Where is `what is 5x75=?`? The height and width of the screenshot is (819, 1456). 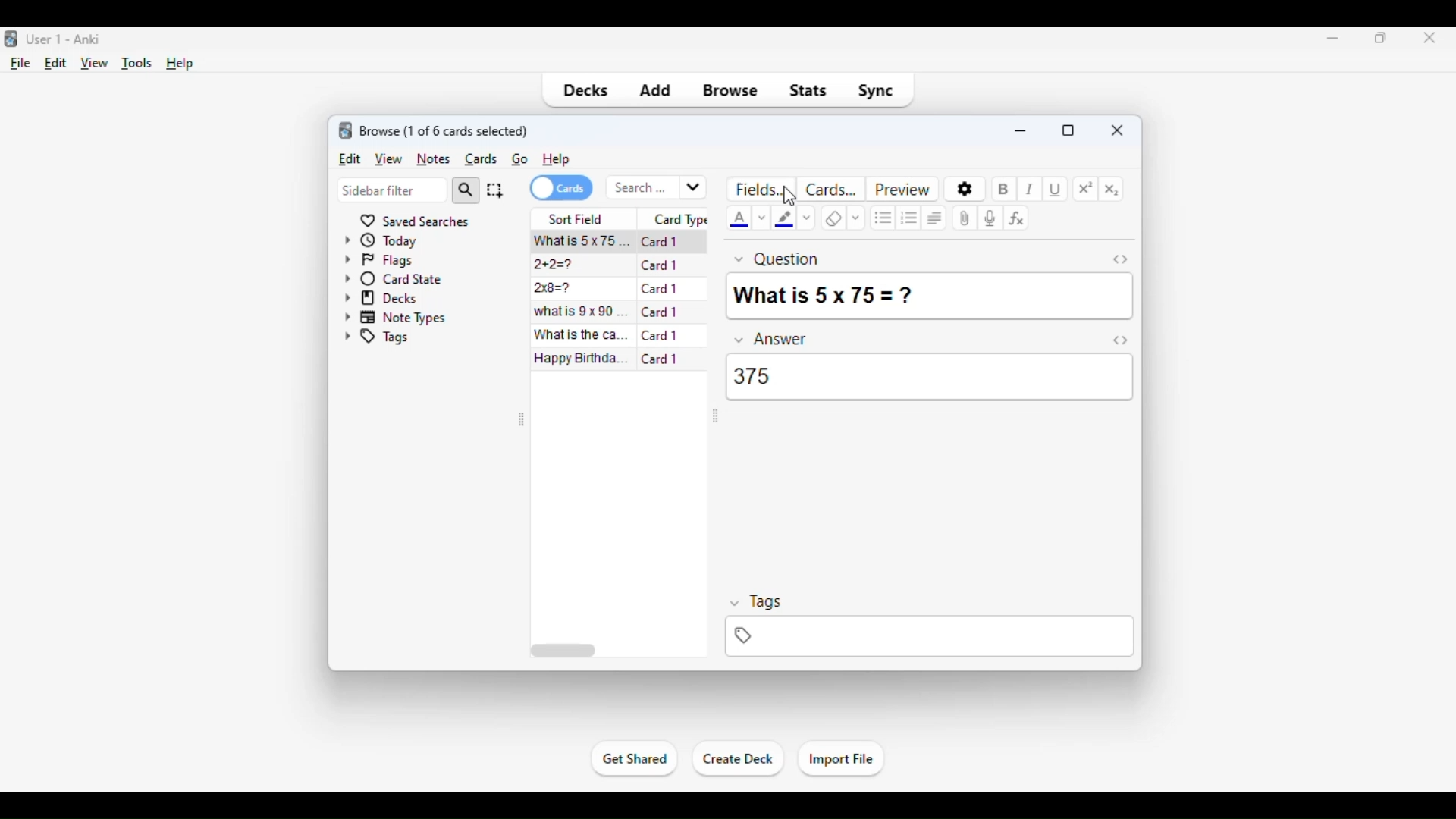
what is 5x75=? is located at coordinates (579, 240).